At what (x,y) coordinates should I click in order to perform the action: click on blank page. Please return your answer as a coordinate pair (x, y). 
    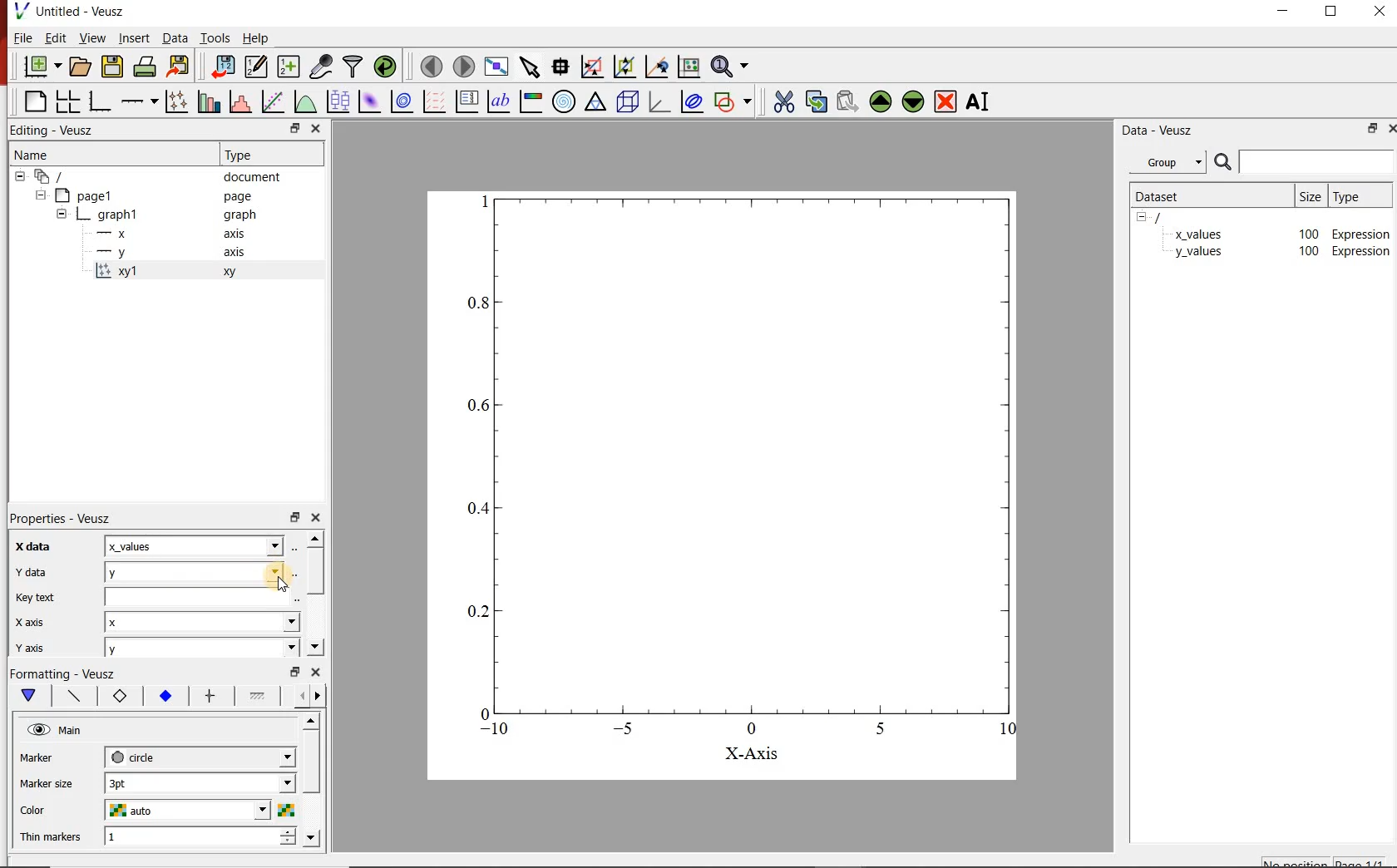
    Looking at the image, I should click on (35, 101).